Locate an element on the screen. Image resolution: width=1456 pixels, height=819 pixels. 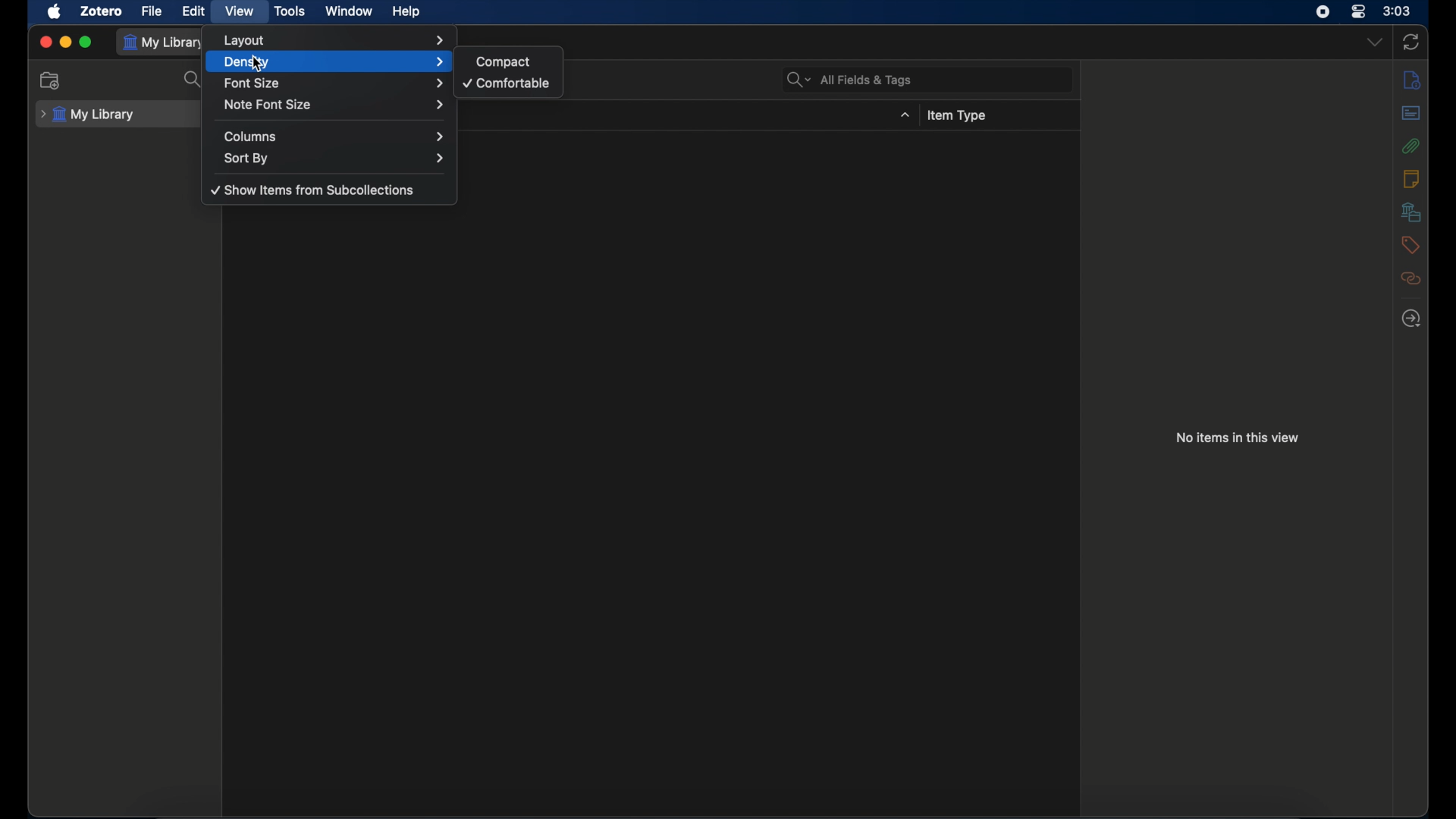
layout is located at coordinates (335, 40).